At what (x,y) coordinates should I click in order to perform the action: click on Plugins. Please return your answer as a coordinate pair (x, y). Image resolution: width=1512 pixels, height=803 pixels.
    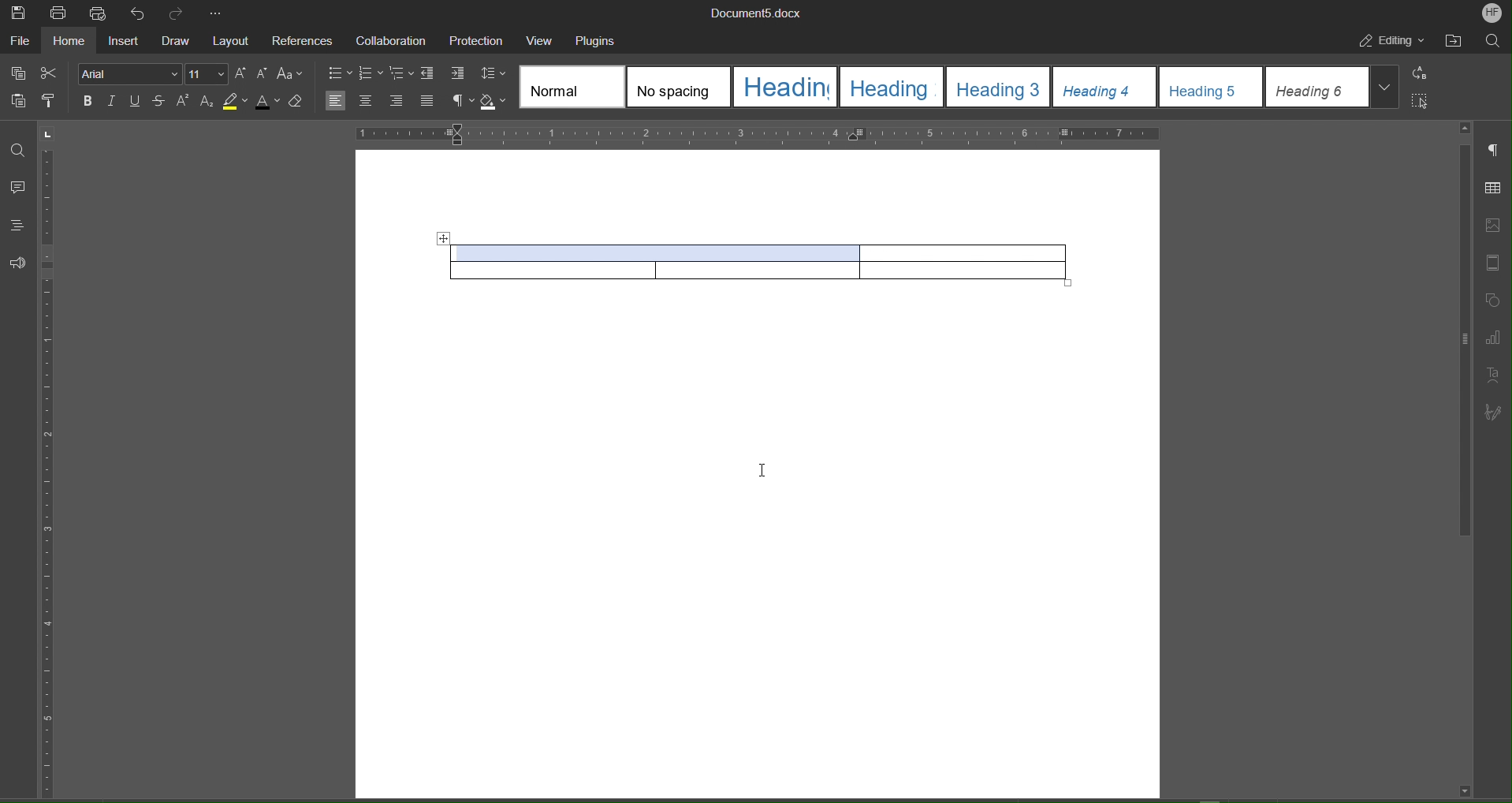
    Looking at the image, I should click on (598, 41).